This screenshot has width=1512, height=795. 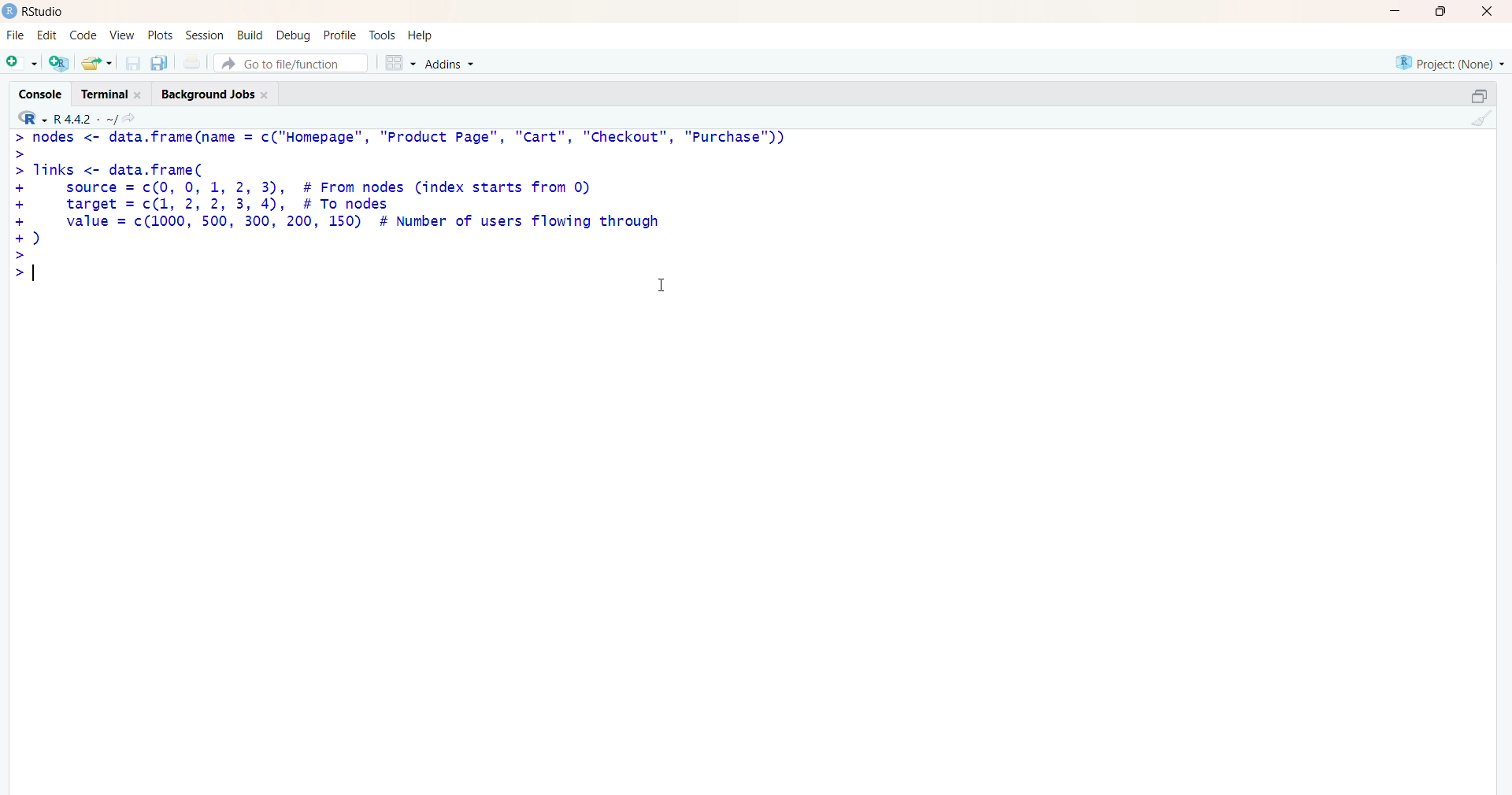 What do you see at coordinates (108, 94) in the screenshot?
I see `terminal` at bounding box center [108, 94].